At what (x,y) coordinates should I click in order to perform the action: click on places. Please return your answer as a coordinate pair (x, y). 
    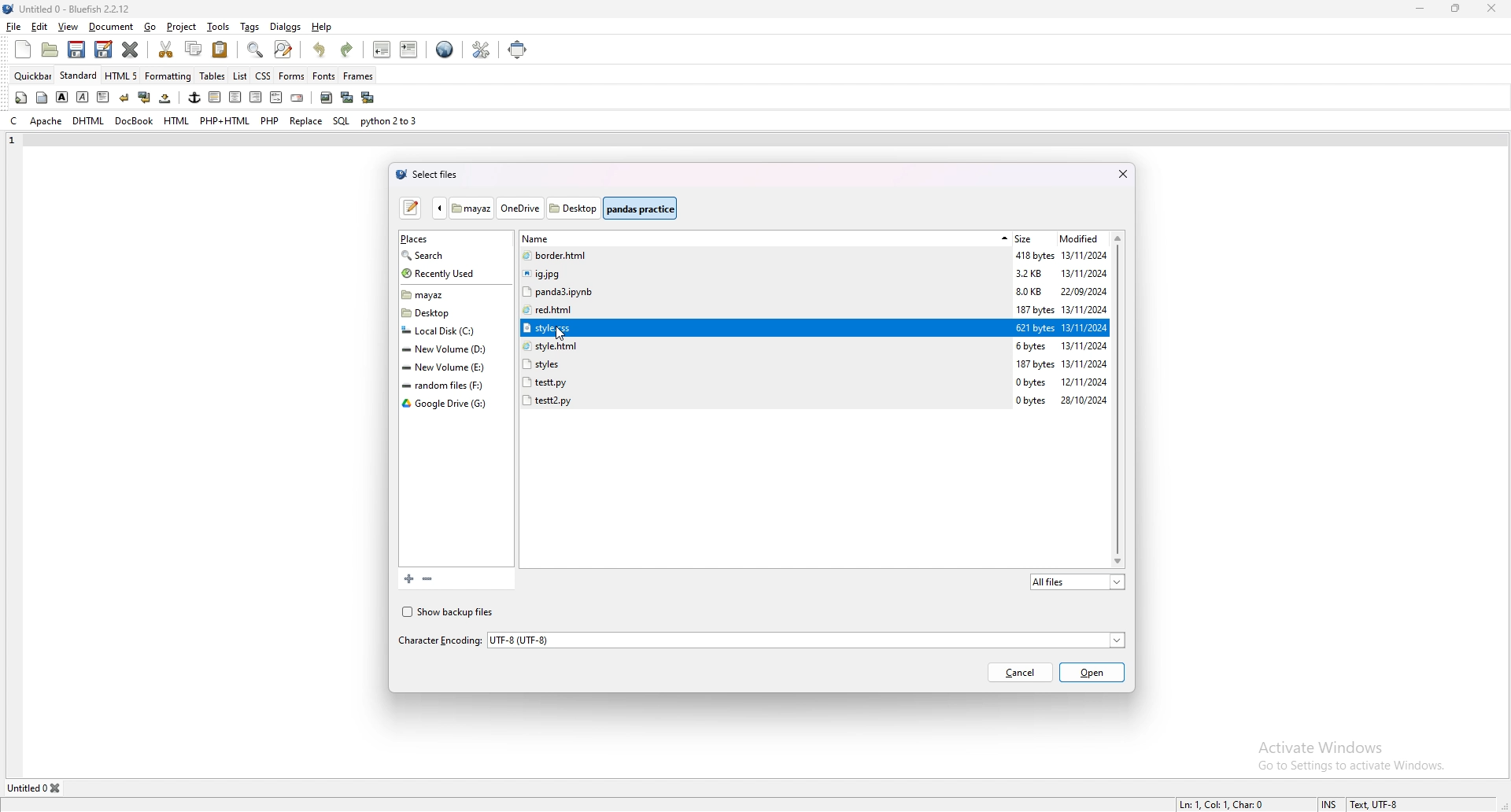
    Looking at the image, I should click on (439, 240).